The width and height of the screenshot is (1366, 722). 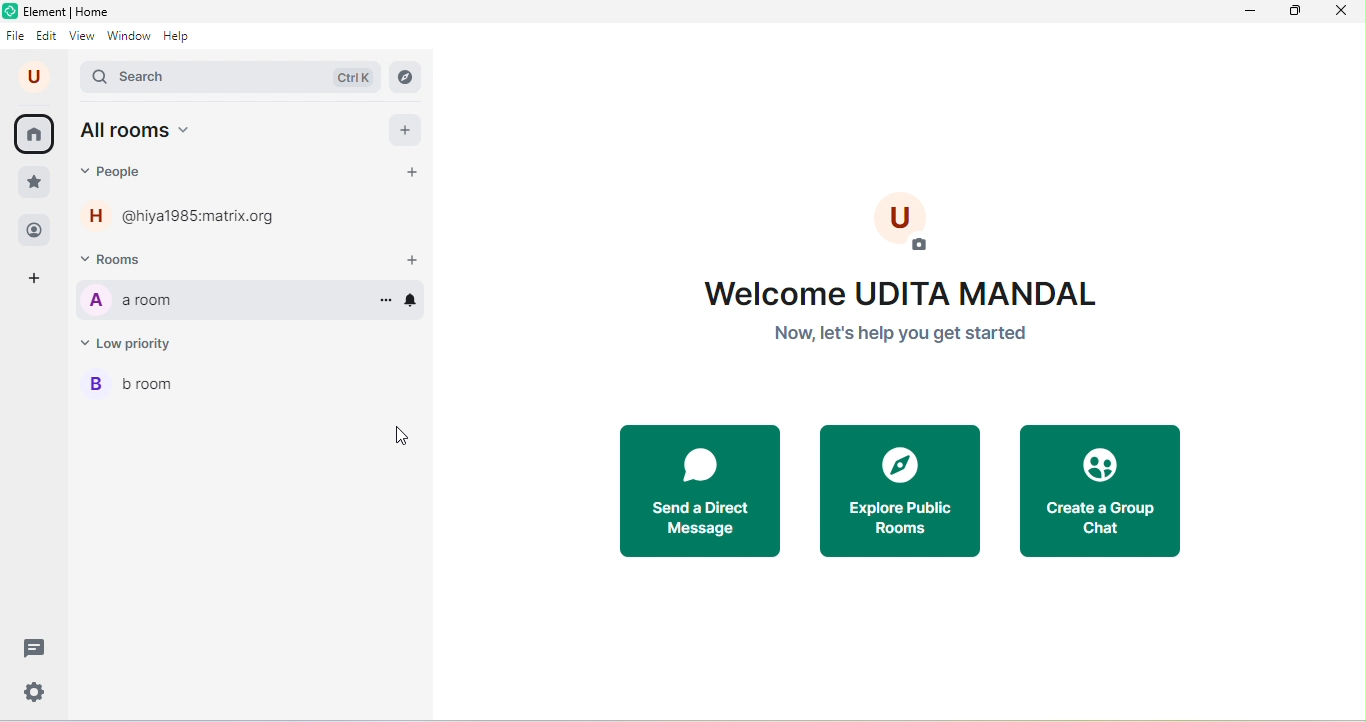 I want to click on element logo, so click(x=10, y=12).